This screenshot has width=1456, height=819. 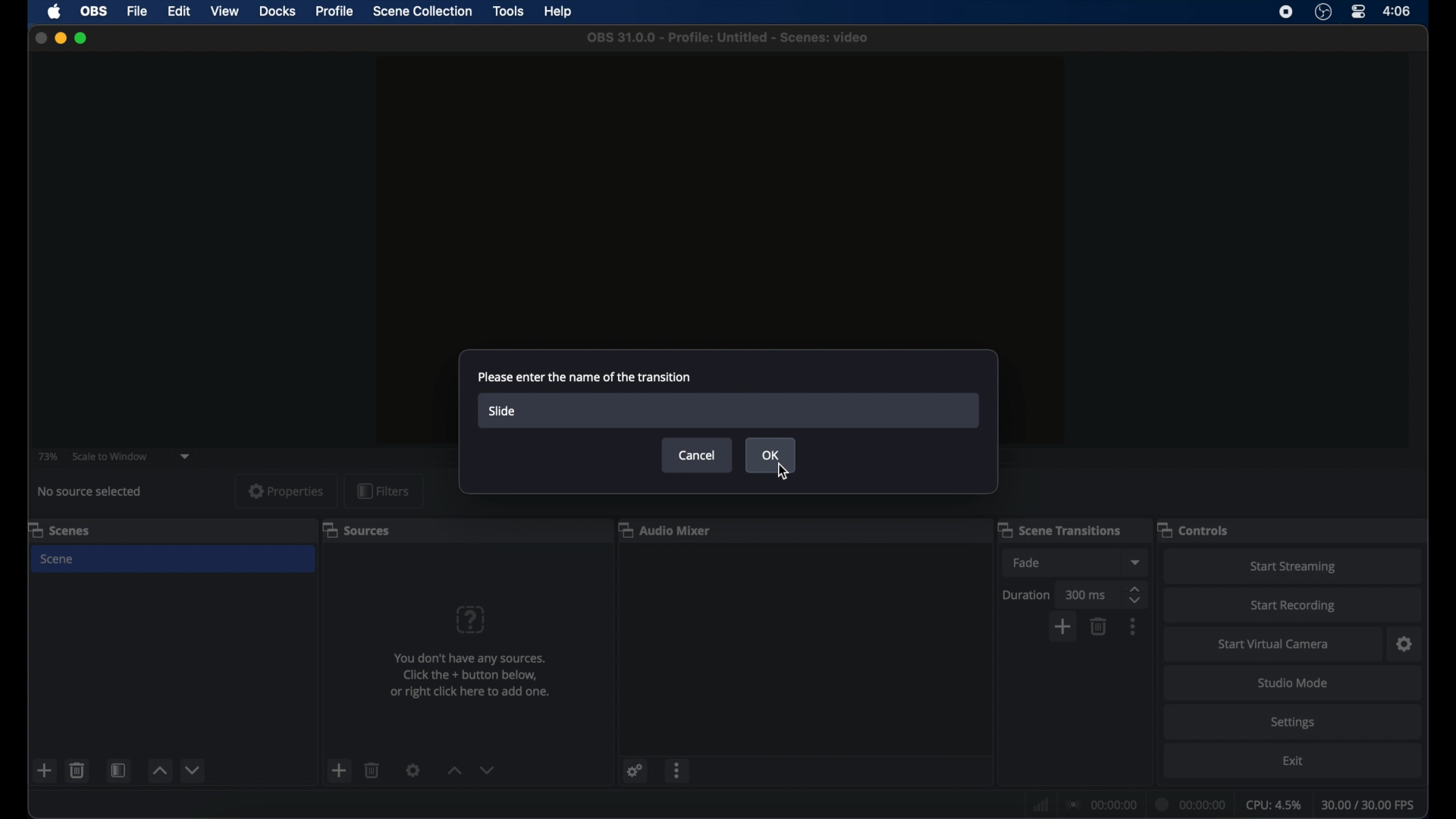 I want to click on controls, so click(x=1194, y=531).